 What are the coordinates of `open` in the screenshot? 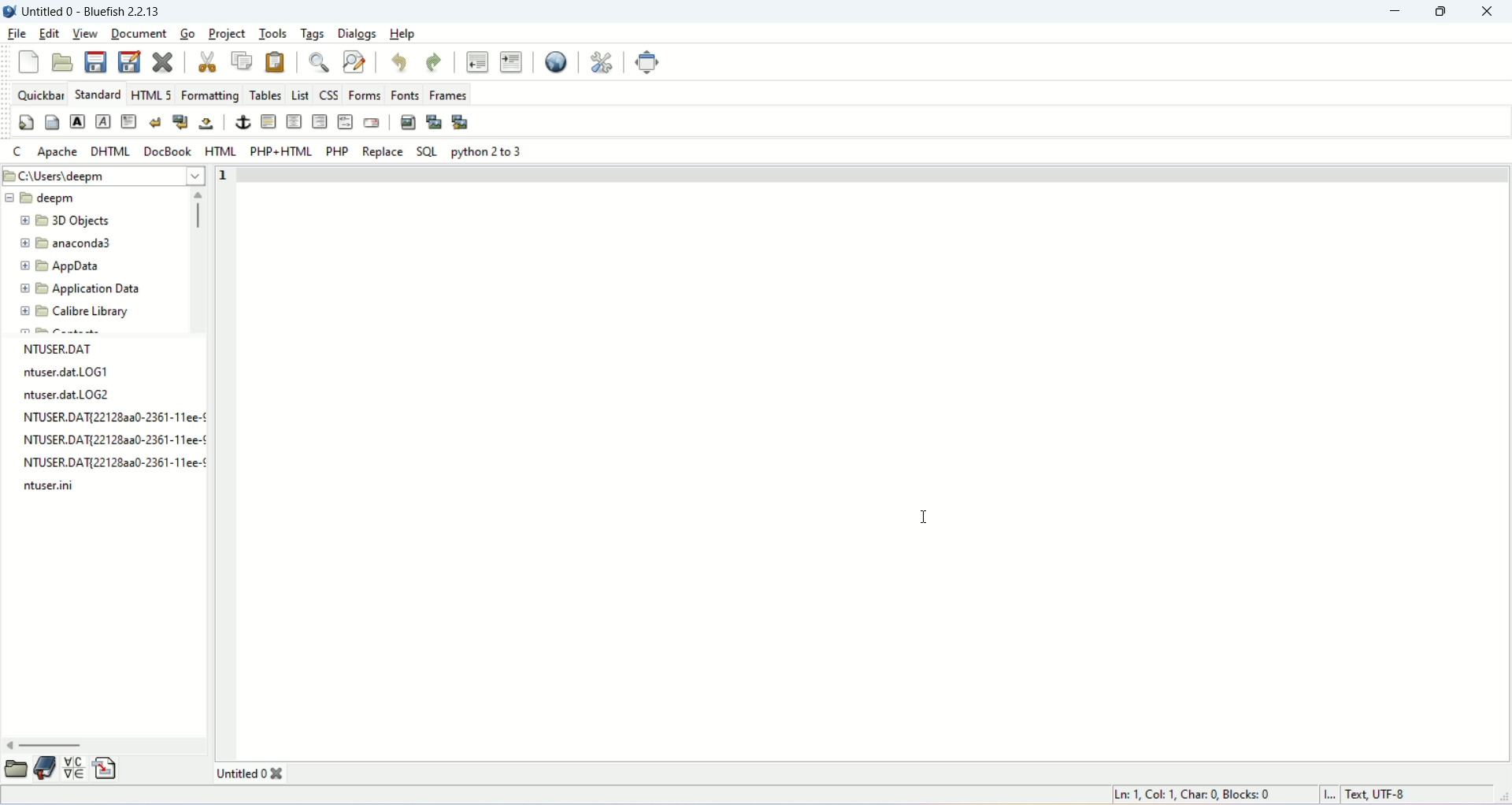 It's located at (62, 62).